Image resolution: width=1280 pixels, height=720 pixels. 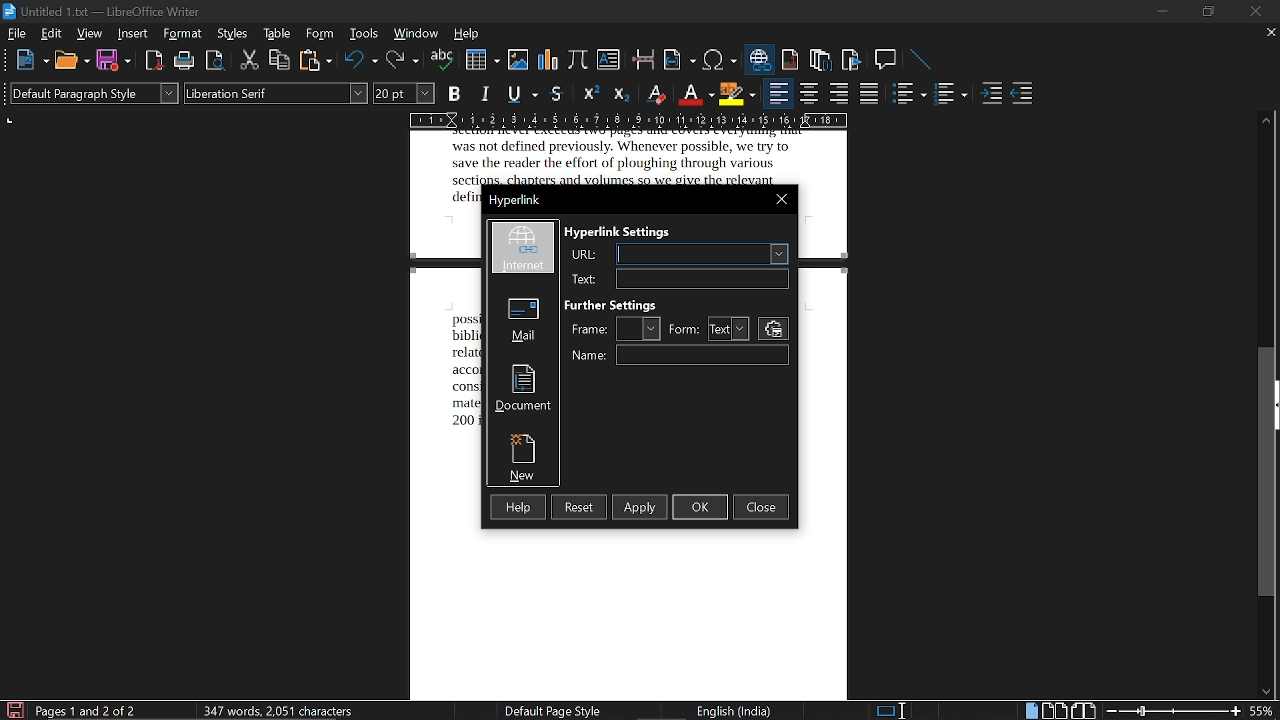 I want to click on insert table, so click(x=482, y=60).